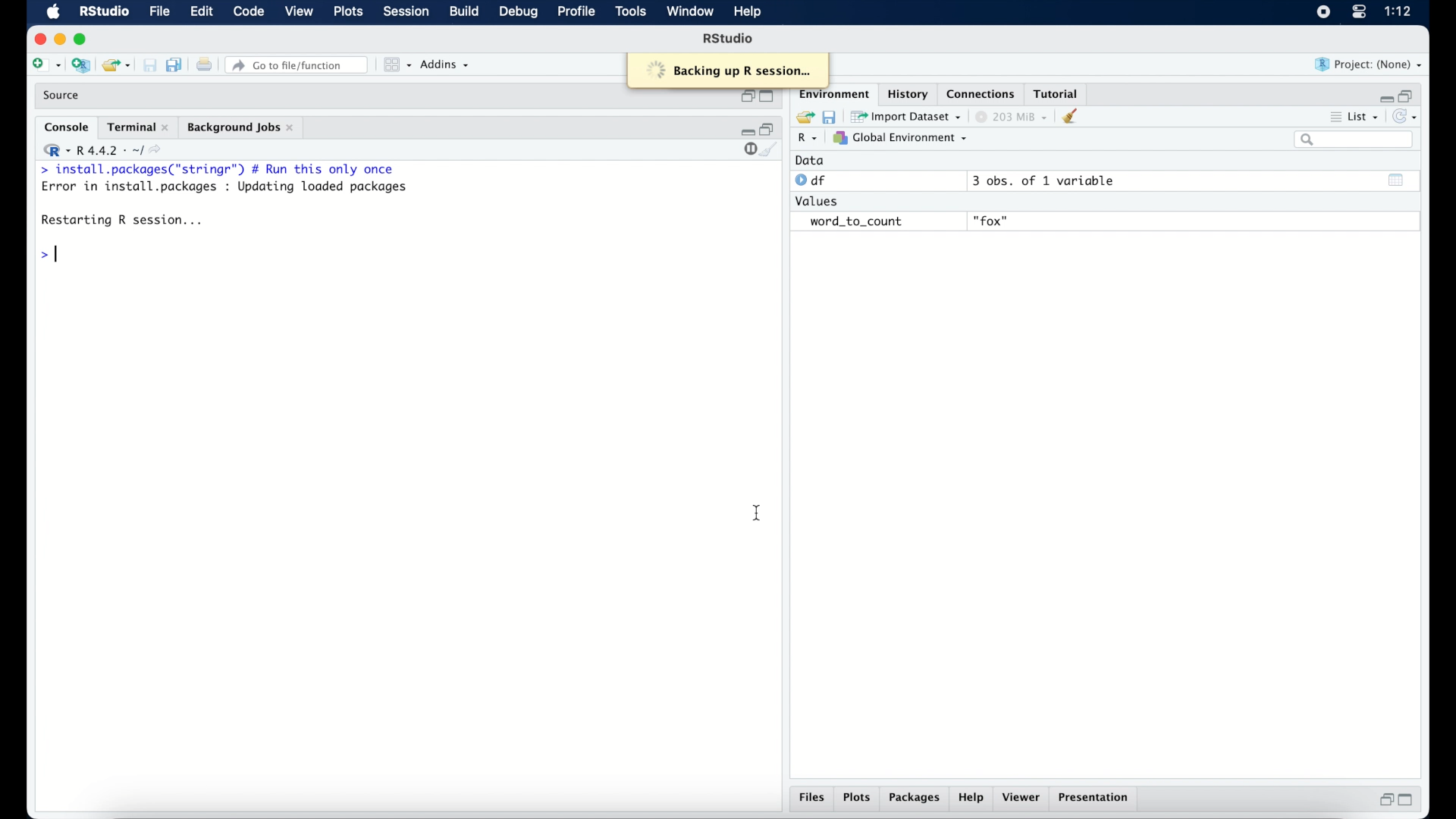  Describe the element at coordinates (1397, 180) in the screenshot. I see `show output window` at that location.